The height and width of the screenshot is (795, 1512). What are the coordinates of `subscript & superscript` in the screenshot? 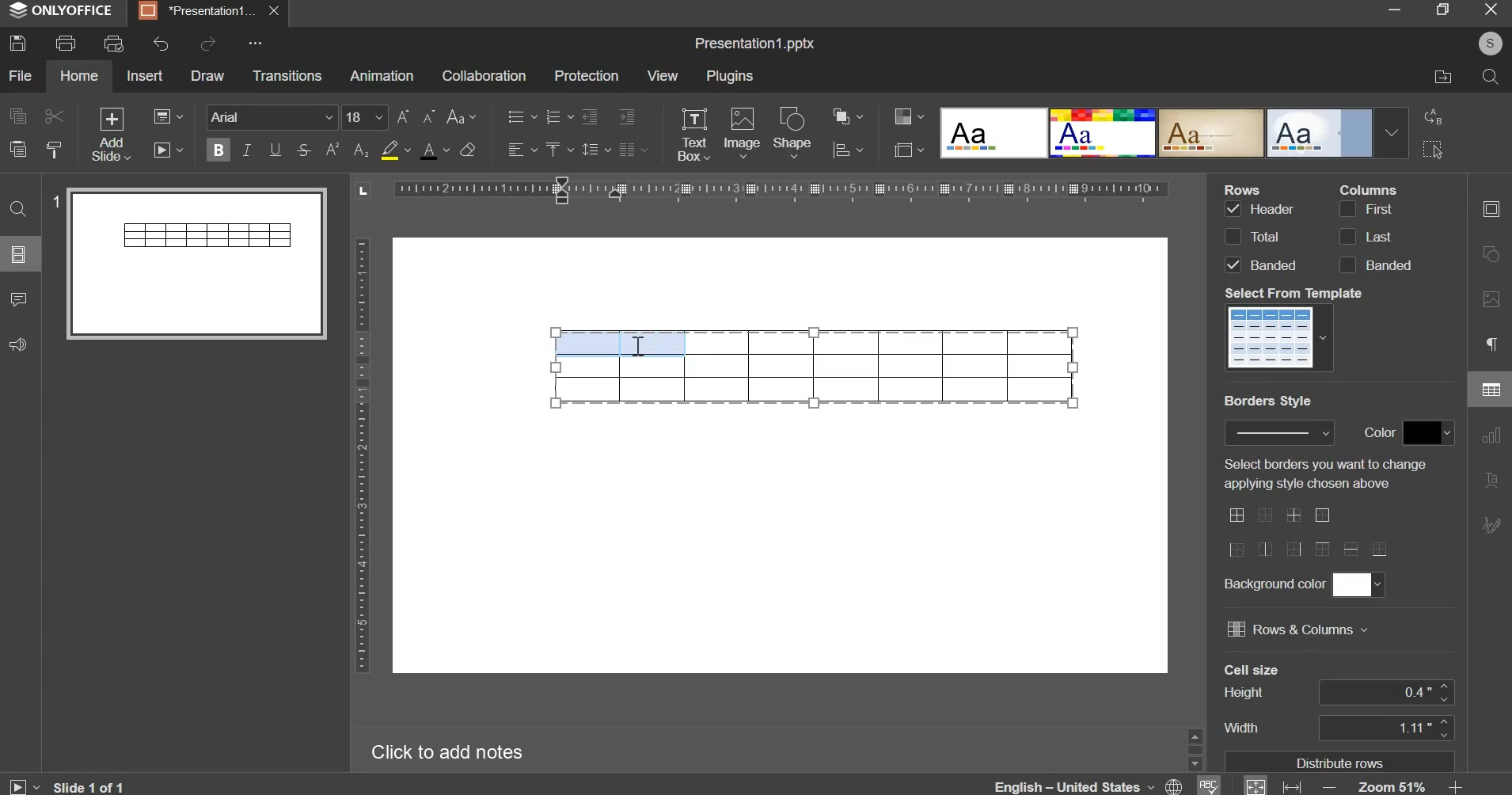 It's located at (347, 149).